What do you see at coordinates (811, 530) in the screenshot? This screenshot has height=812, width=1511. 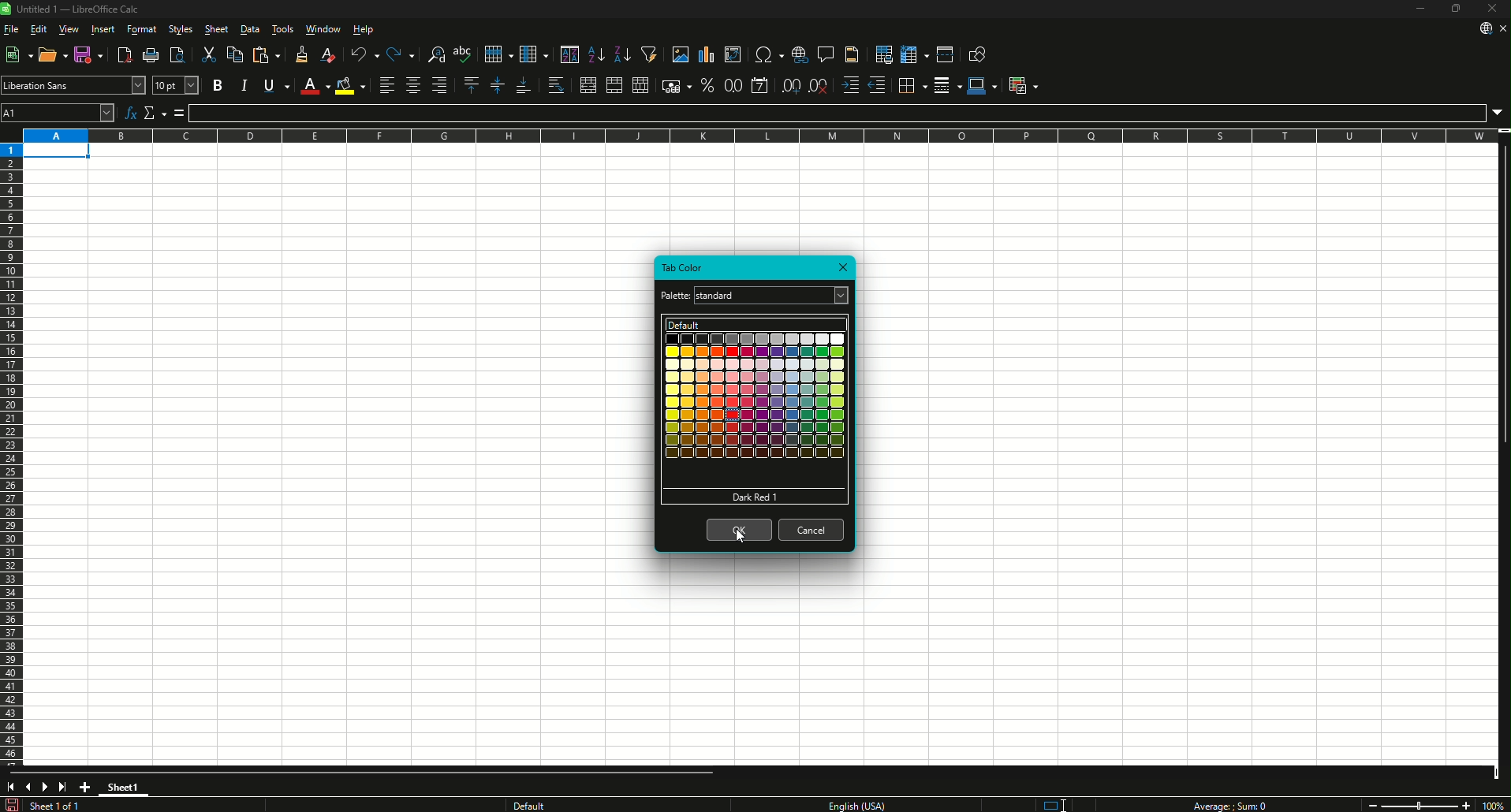 I see `Cancel` at bounding box center [811, 530].